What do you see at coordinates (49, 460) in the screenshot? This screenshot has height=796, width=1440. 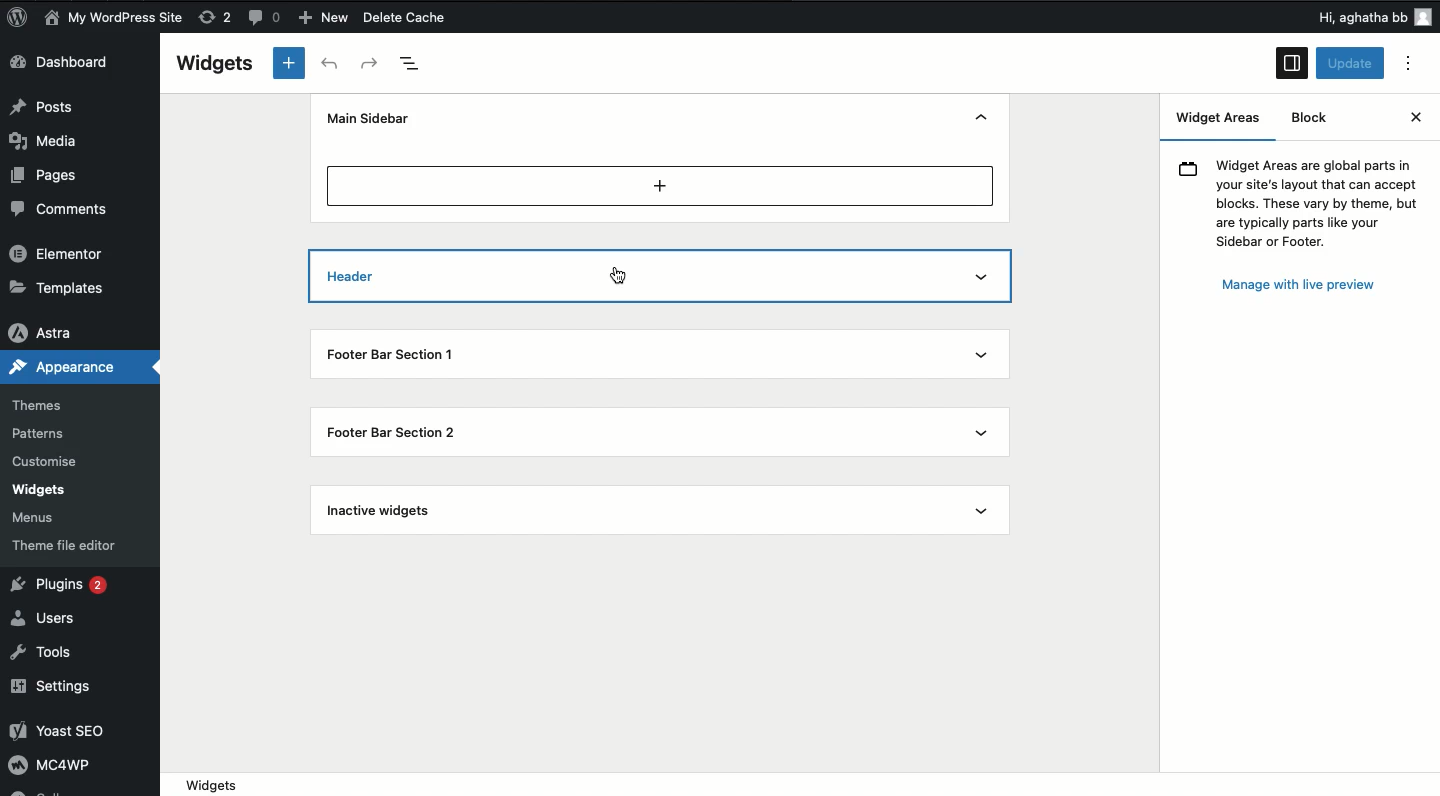 I see `Customise` at bounding box center [49, 460].